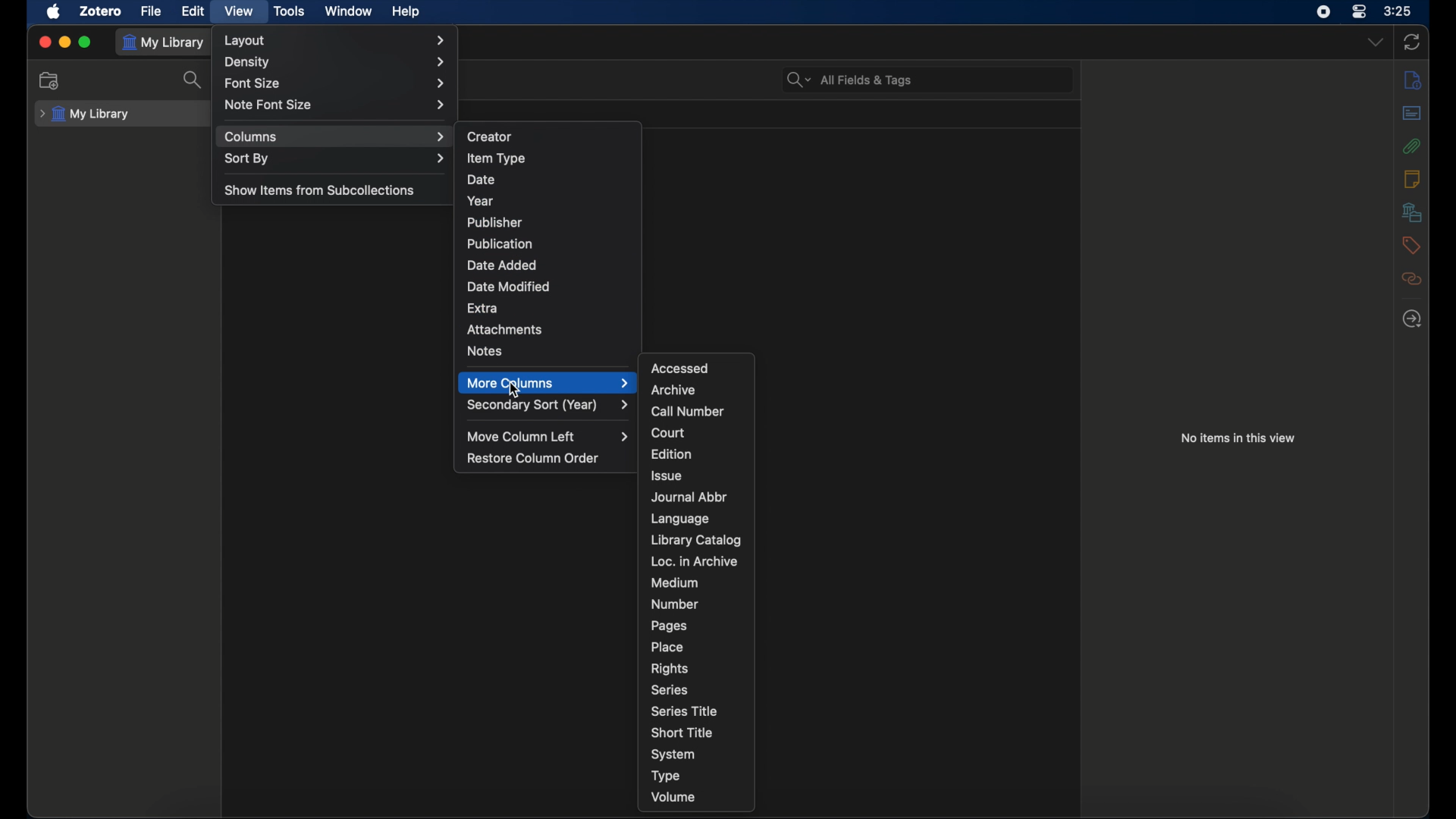  Describe the element at coordinates (674, 604) in the screenshot. I see `number` at that location.